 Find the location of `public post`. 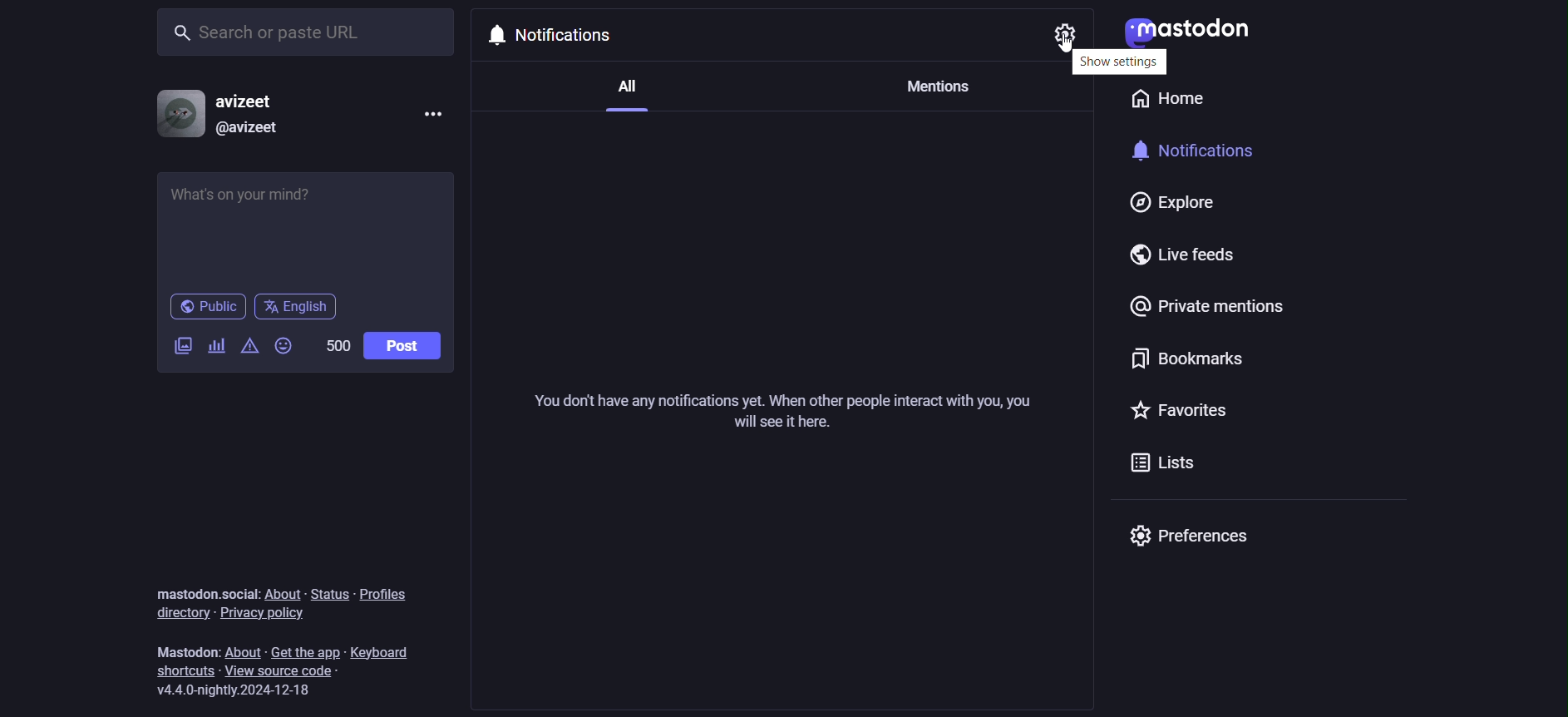

public post is located at coordinates (207, 308).